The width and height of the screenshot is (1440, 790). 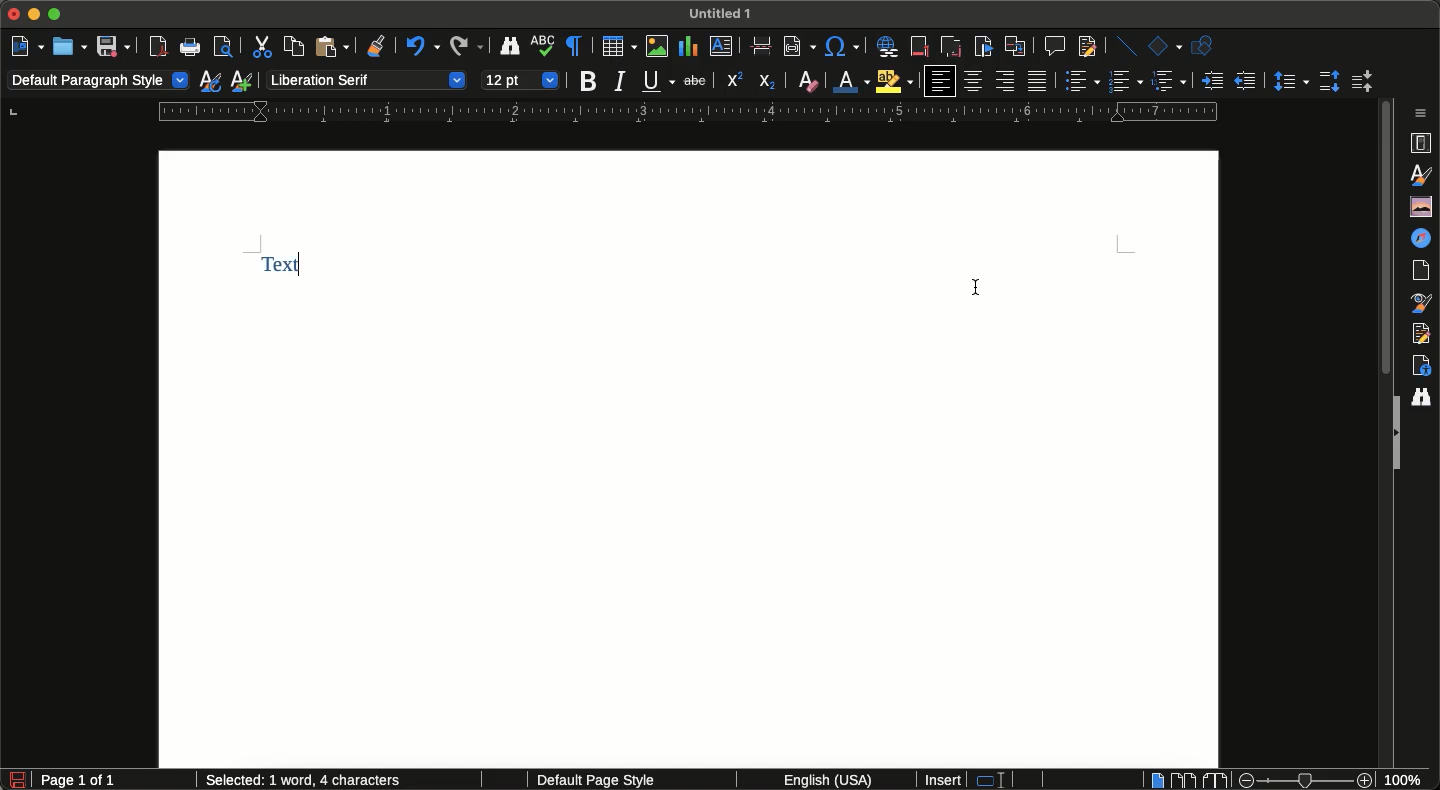 What do you see at coordinates (769, 78) in the screenshot?
I see `X2` at bounding box center [769, 78].